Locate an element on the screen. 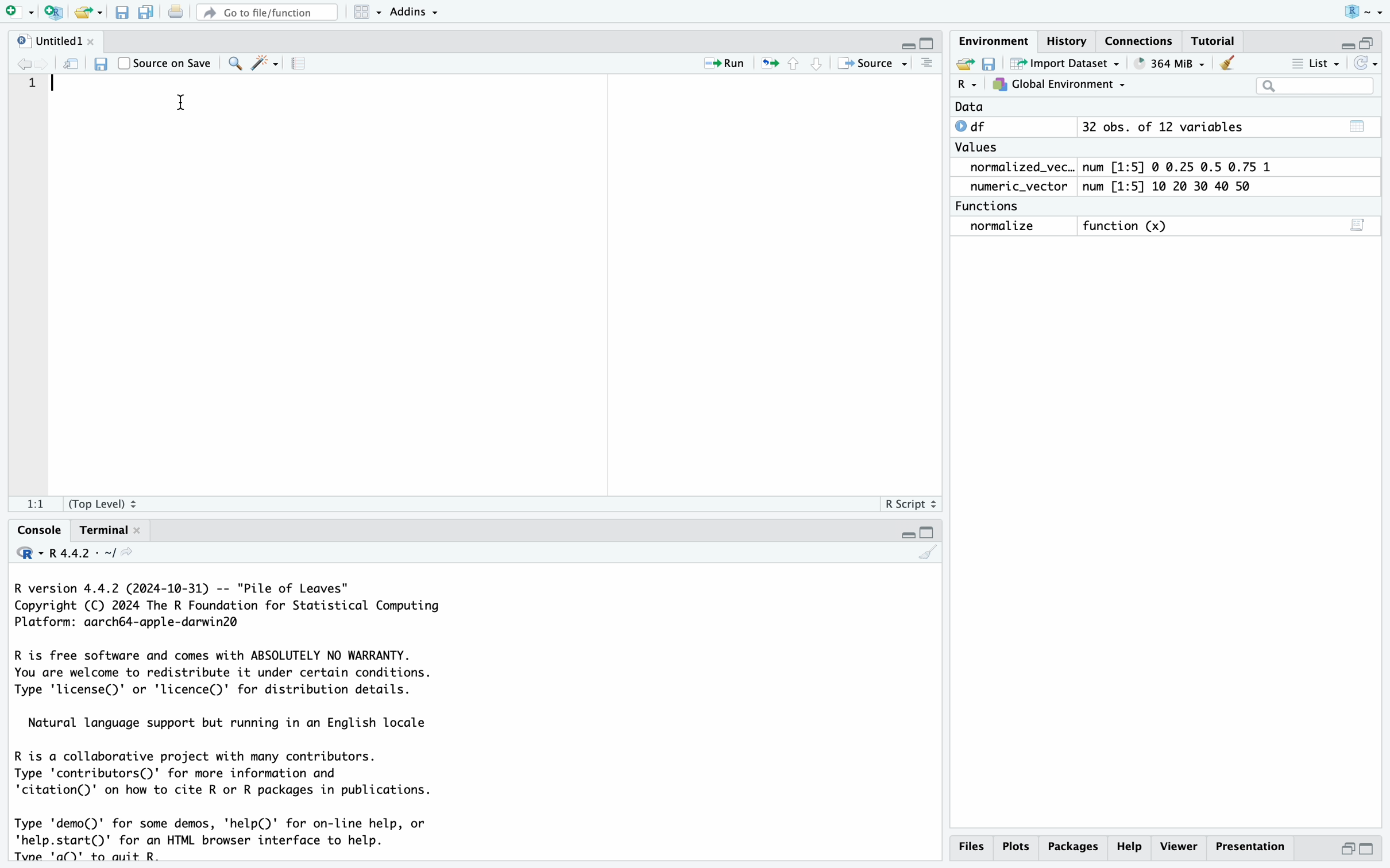  Connections is located at coordinates (1140, 41).